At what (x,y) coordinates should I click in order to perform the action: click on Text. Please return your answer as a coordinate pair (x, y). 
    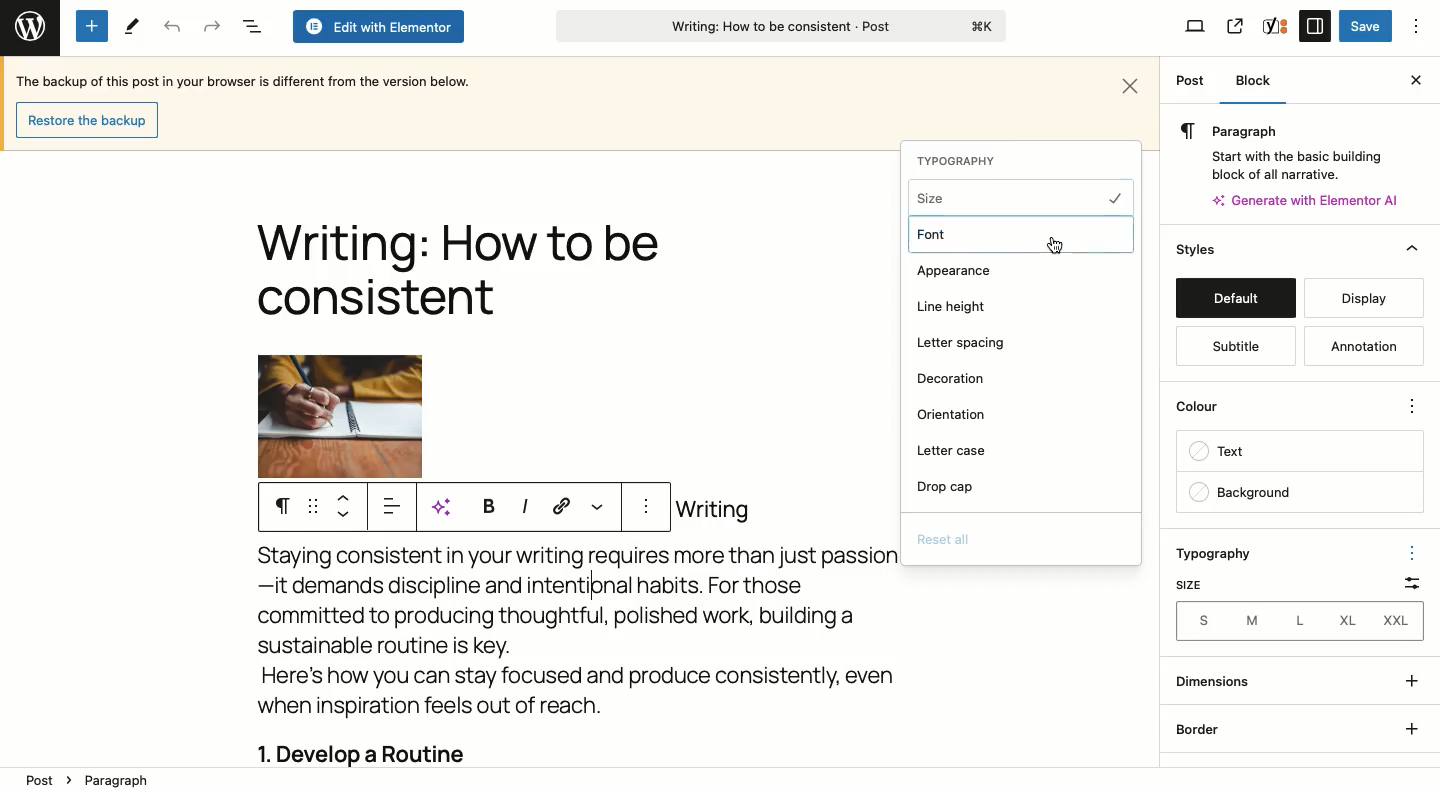
    Looking at the image, I should click on (1299, 453).